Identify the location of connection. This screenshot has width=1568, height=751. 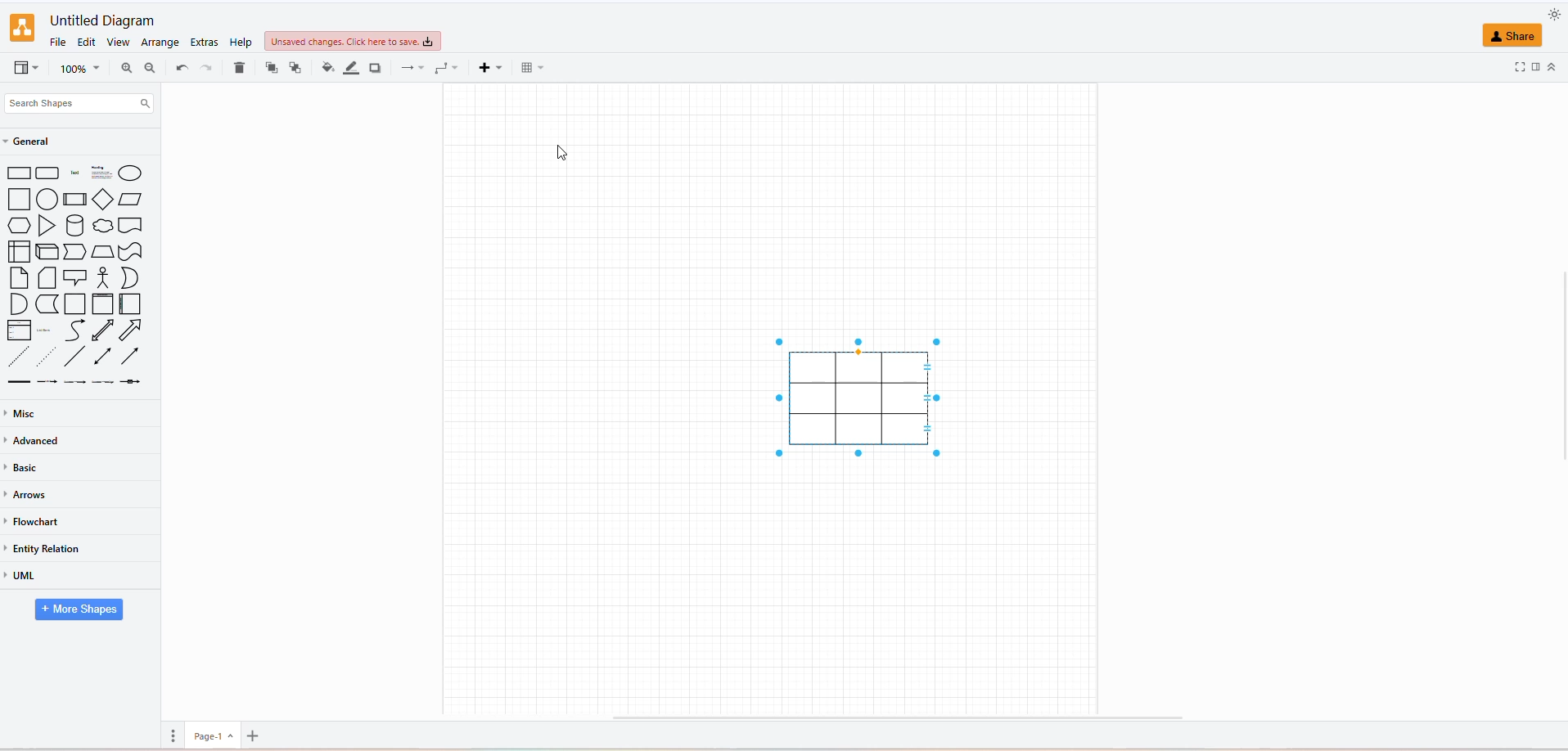
(412, 68).